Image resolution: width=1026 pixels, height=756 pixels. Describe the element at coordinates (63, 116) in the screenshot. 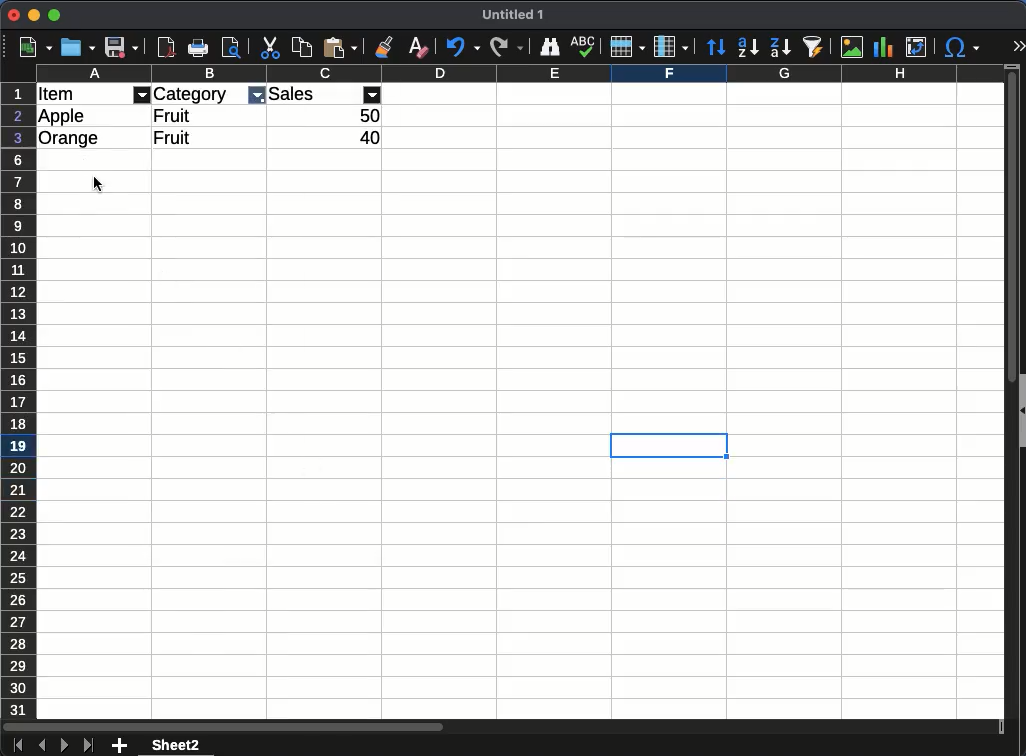

I see `Apple` at that location.